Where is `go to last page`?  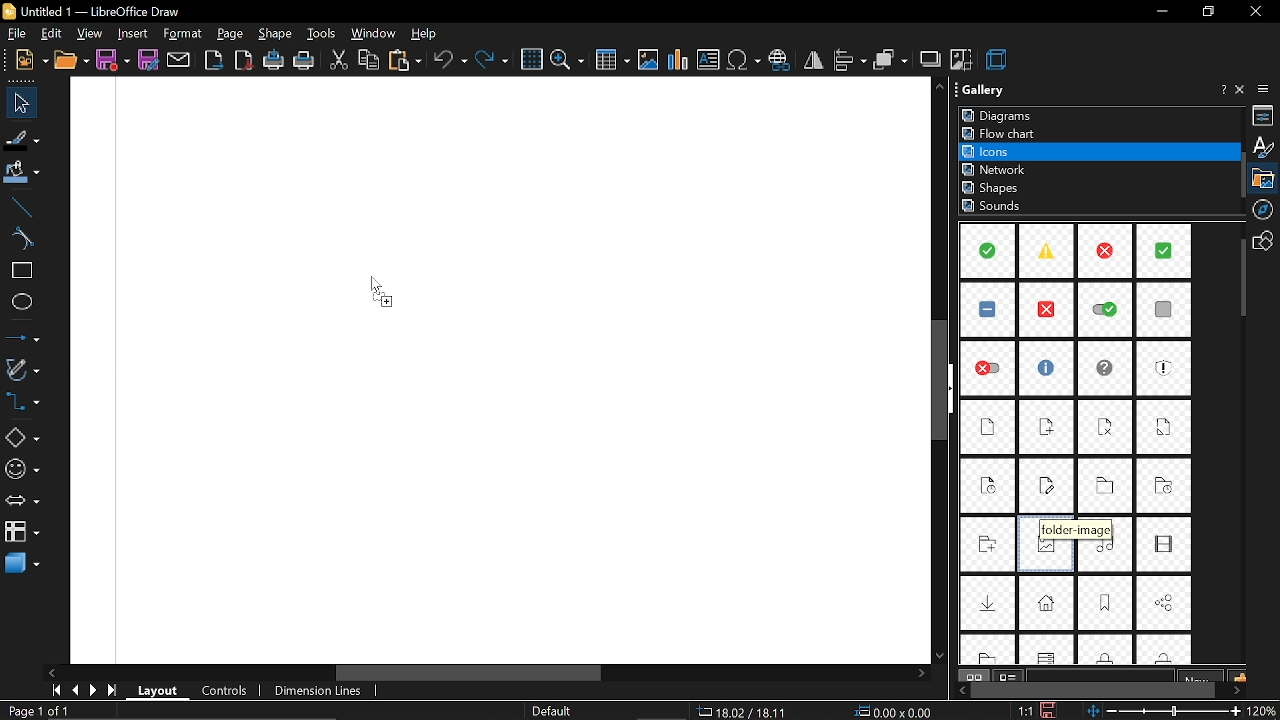
go to last page is located at coordinates (112, 692).